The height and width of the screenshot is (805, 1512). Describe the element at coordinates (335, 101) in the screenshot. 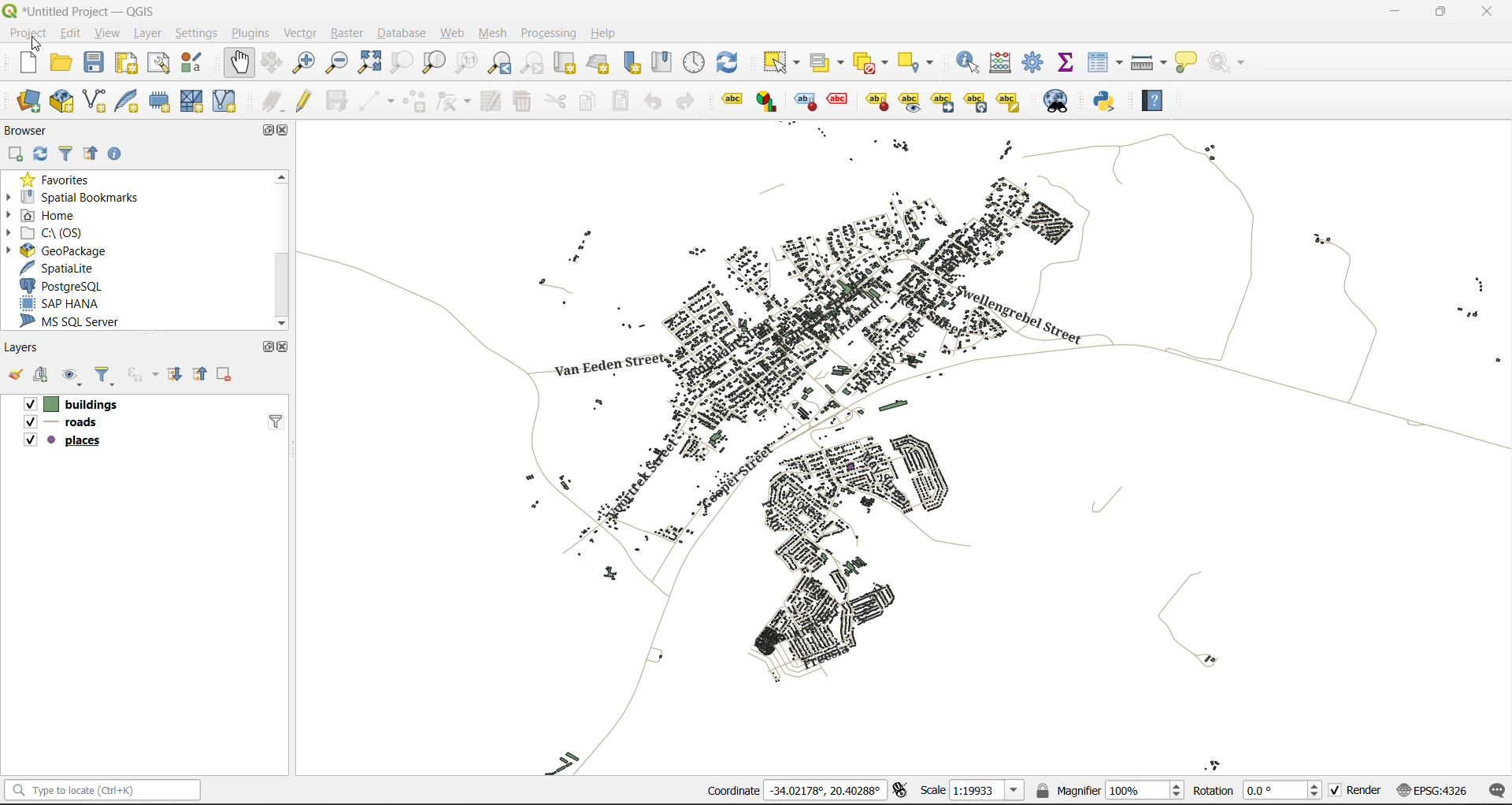

I see `save edits` at that location.